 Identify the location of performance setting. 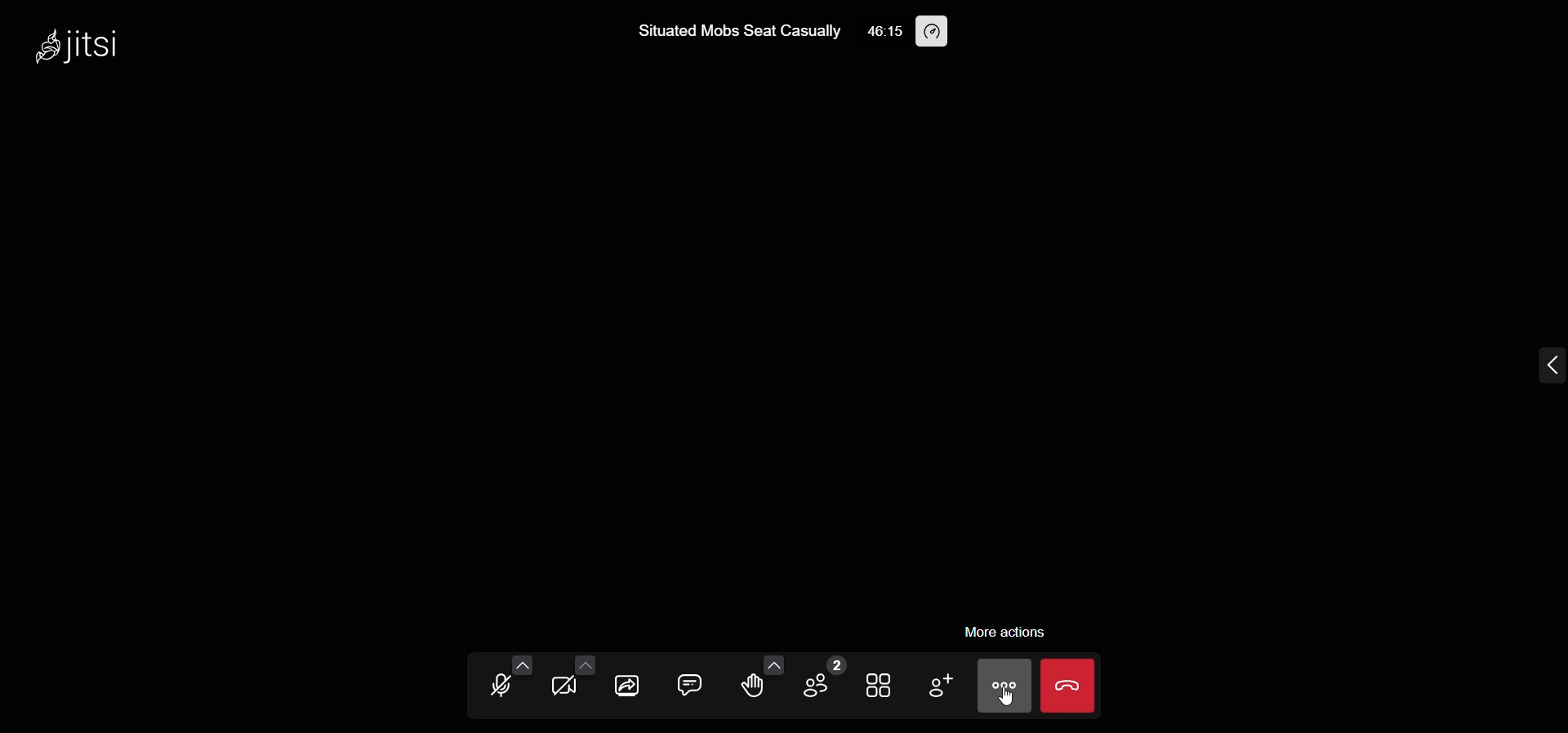
(932, 33).